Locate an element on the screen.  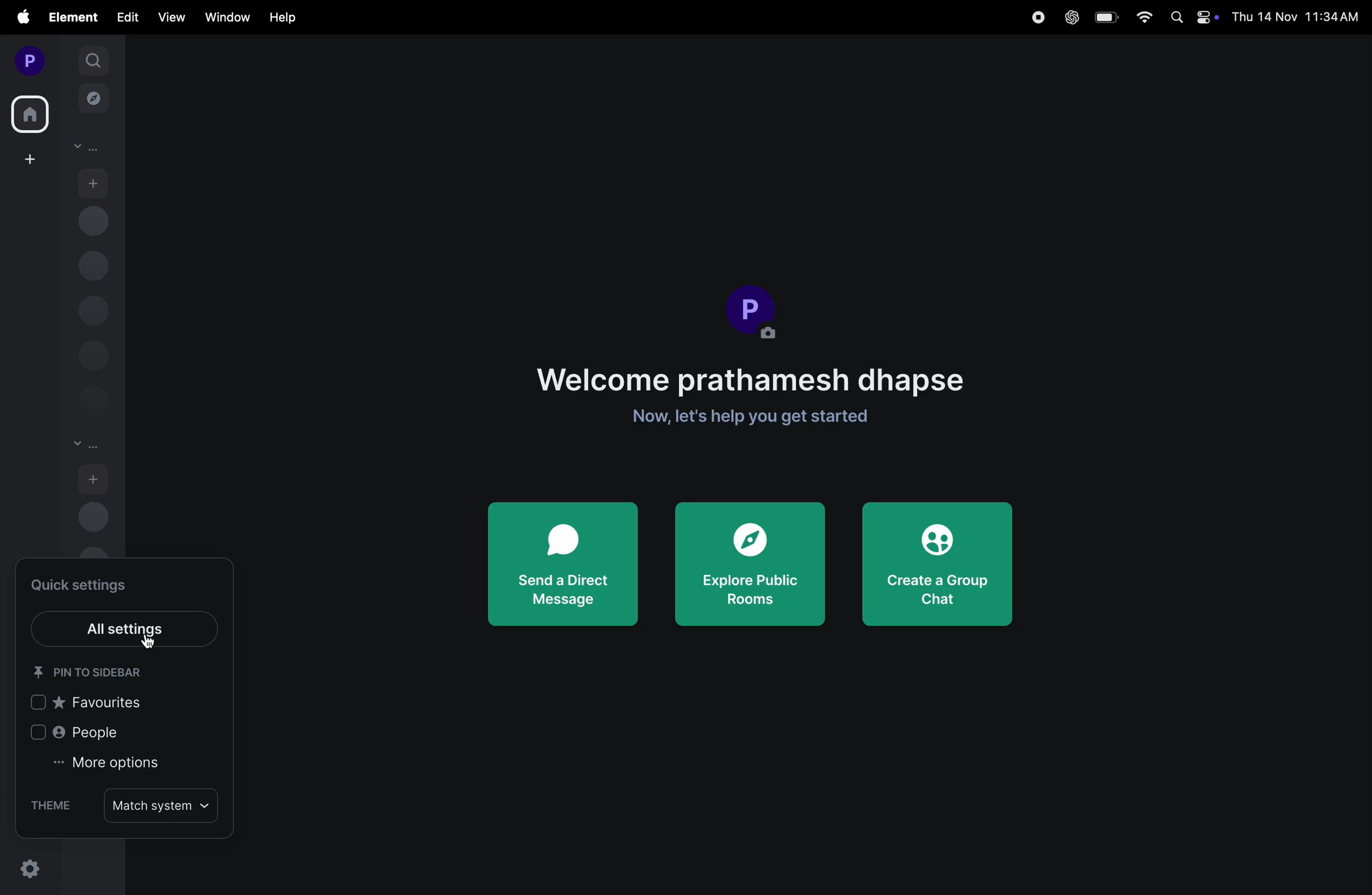
Date and time is located at coordinates (1297, 17).